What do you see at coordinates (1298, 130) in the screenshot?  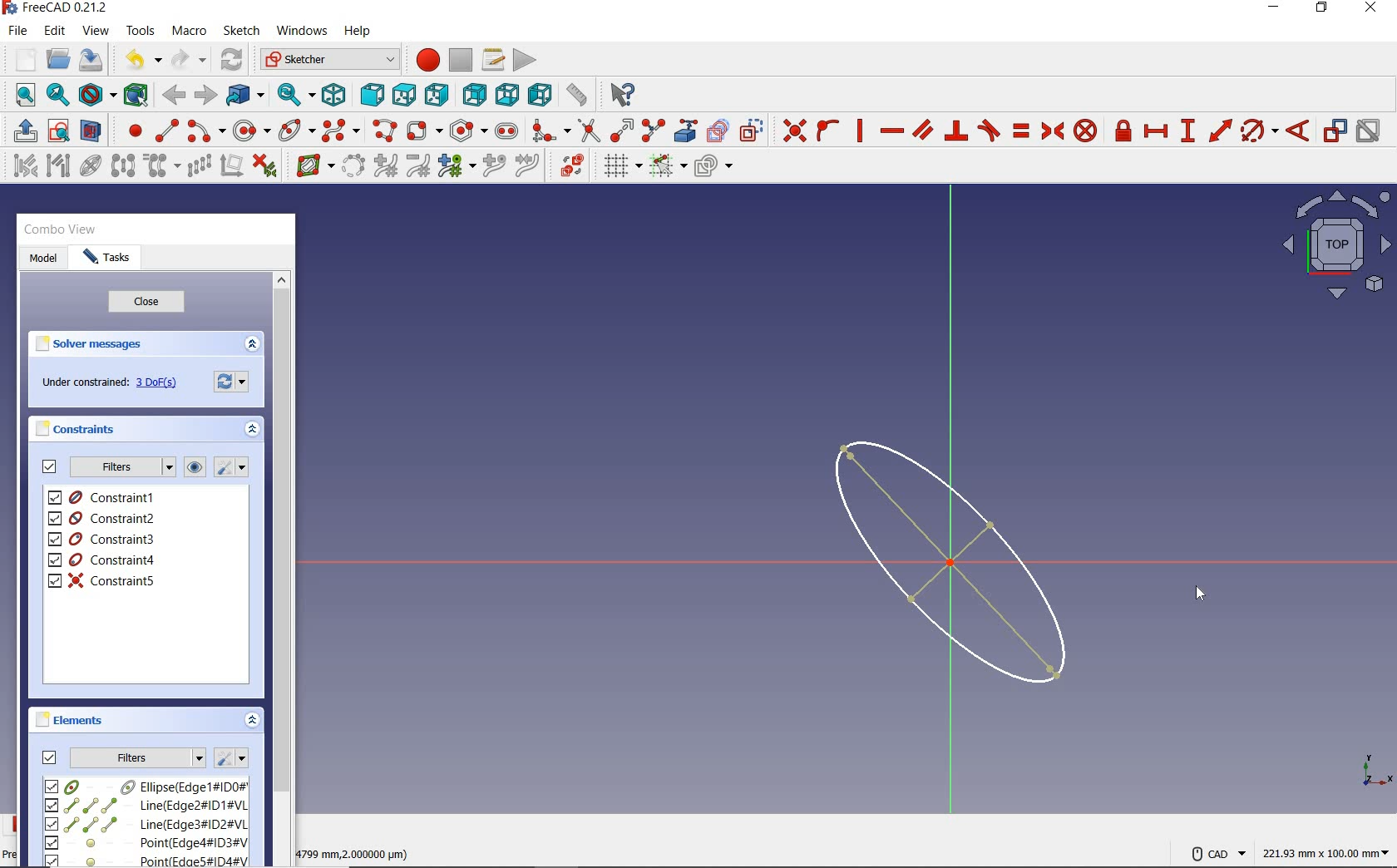 I see `constrain angle` at bounding box center [1298, 130].